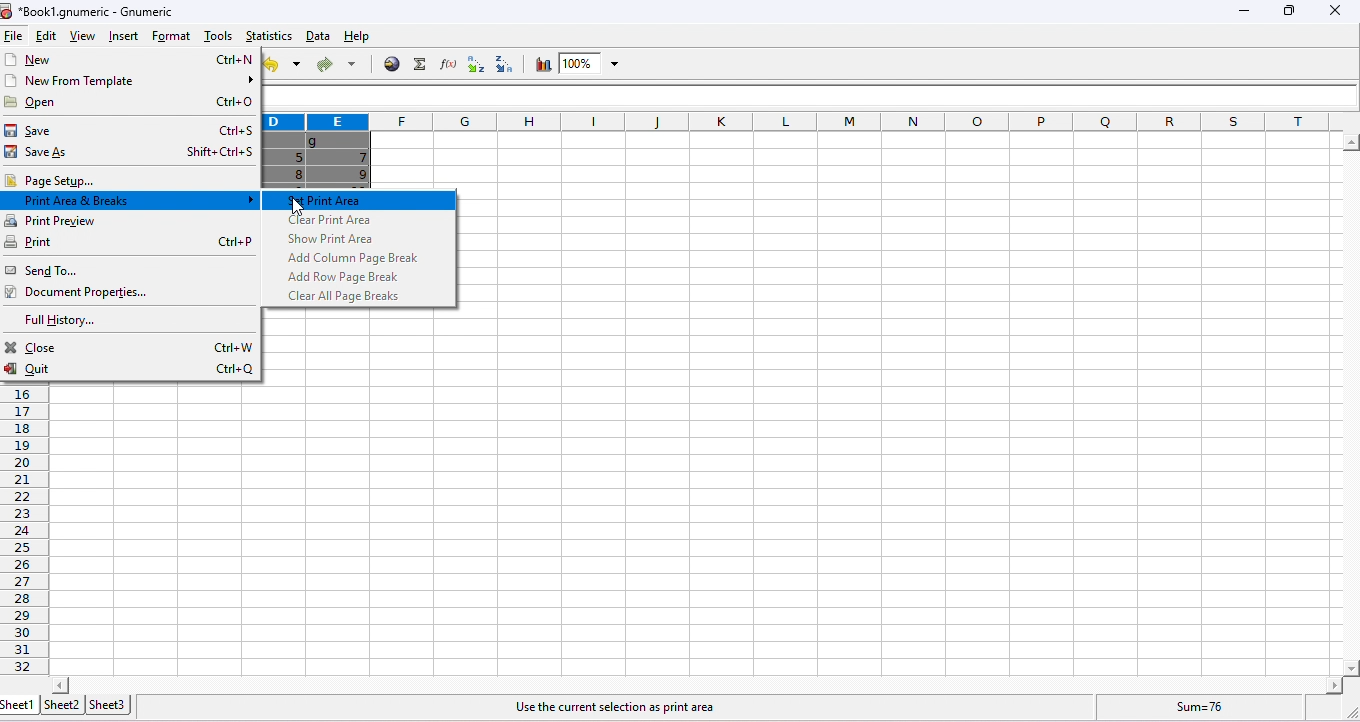  I want to click on sheet3, so click(107, 704).